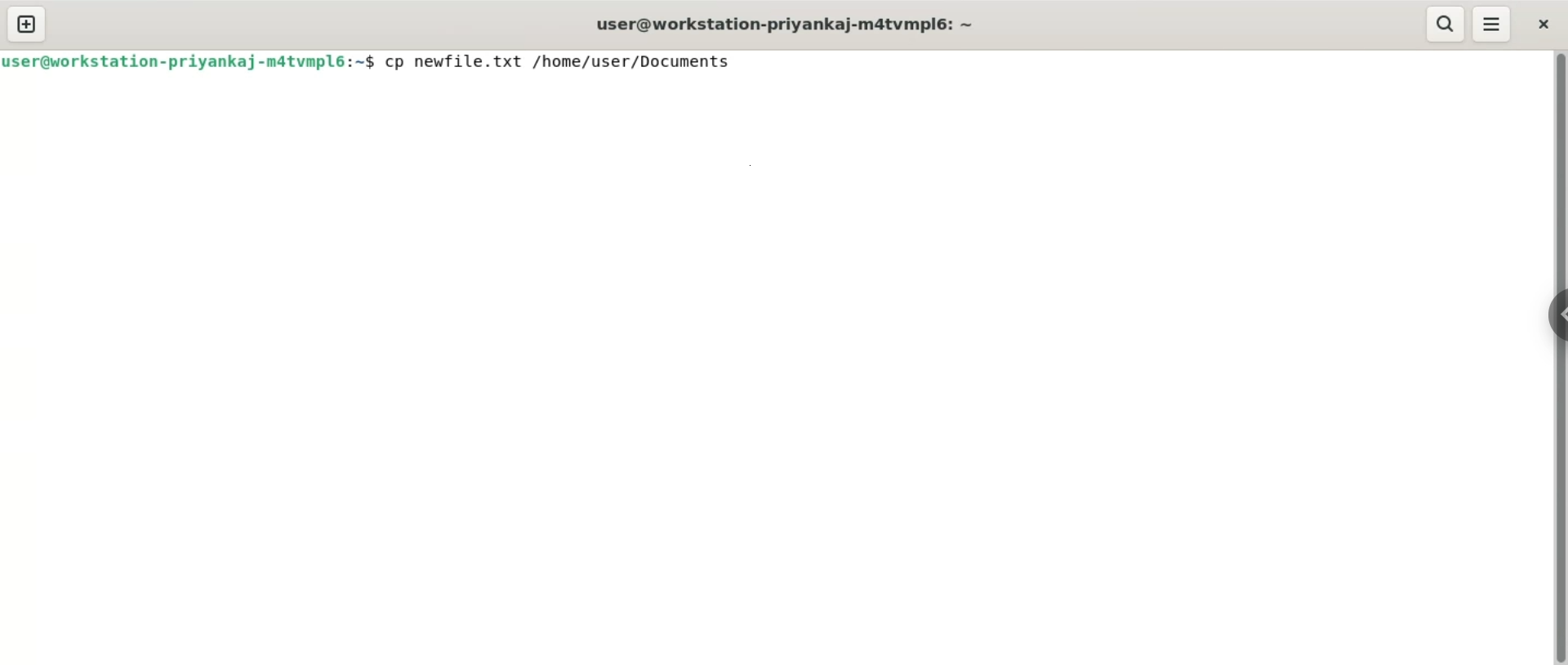 This screenshot has width=1568, height=665. What do you see at coordinates (1558, 358) in the screenshot?
I see `Vertical scroll bar` at bounding box center [1558, 358].